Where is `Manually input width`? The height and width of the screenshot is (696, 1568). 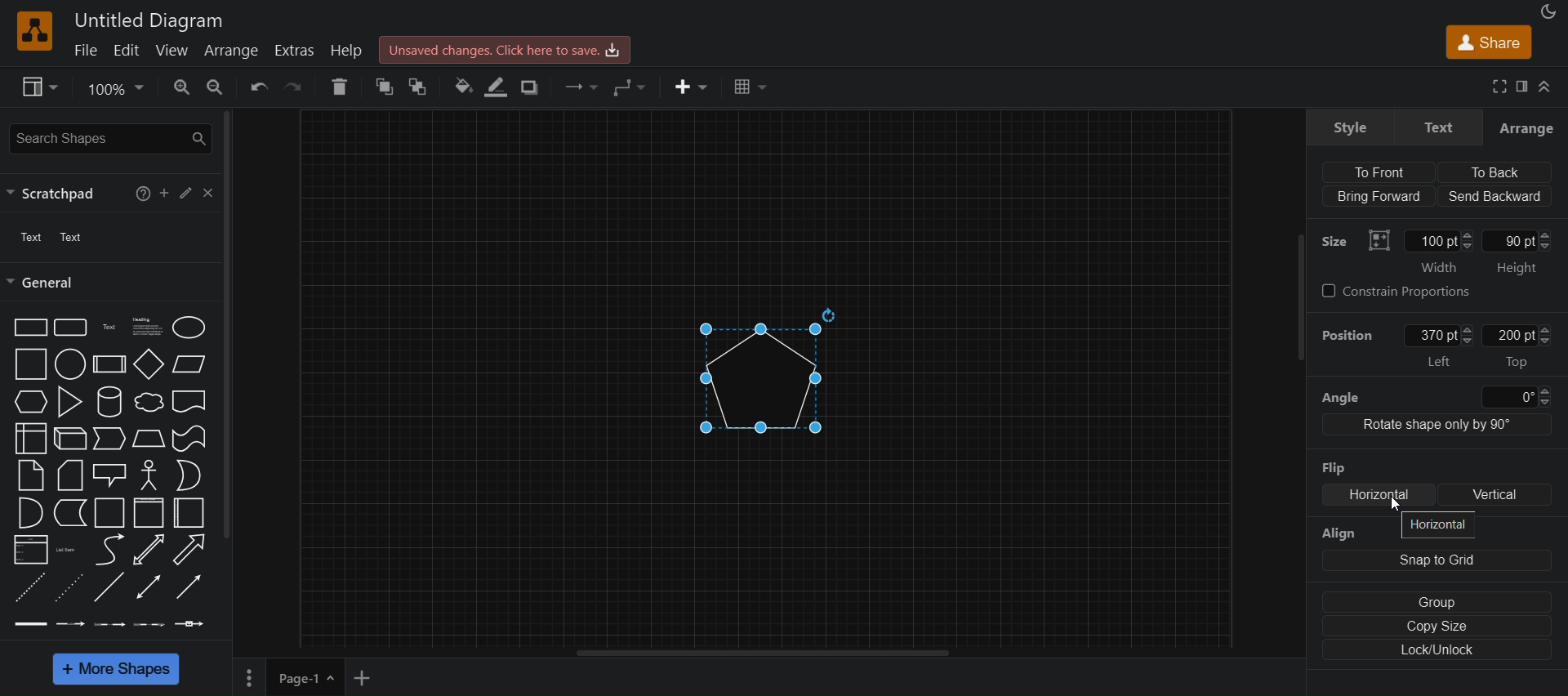
Manually input width is located at coordinates (1431, 241).